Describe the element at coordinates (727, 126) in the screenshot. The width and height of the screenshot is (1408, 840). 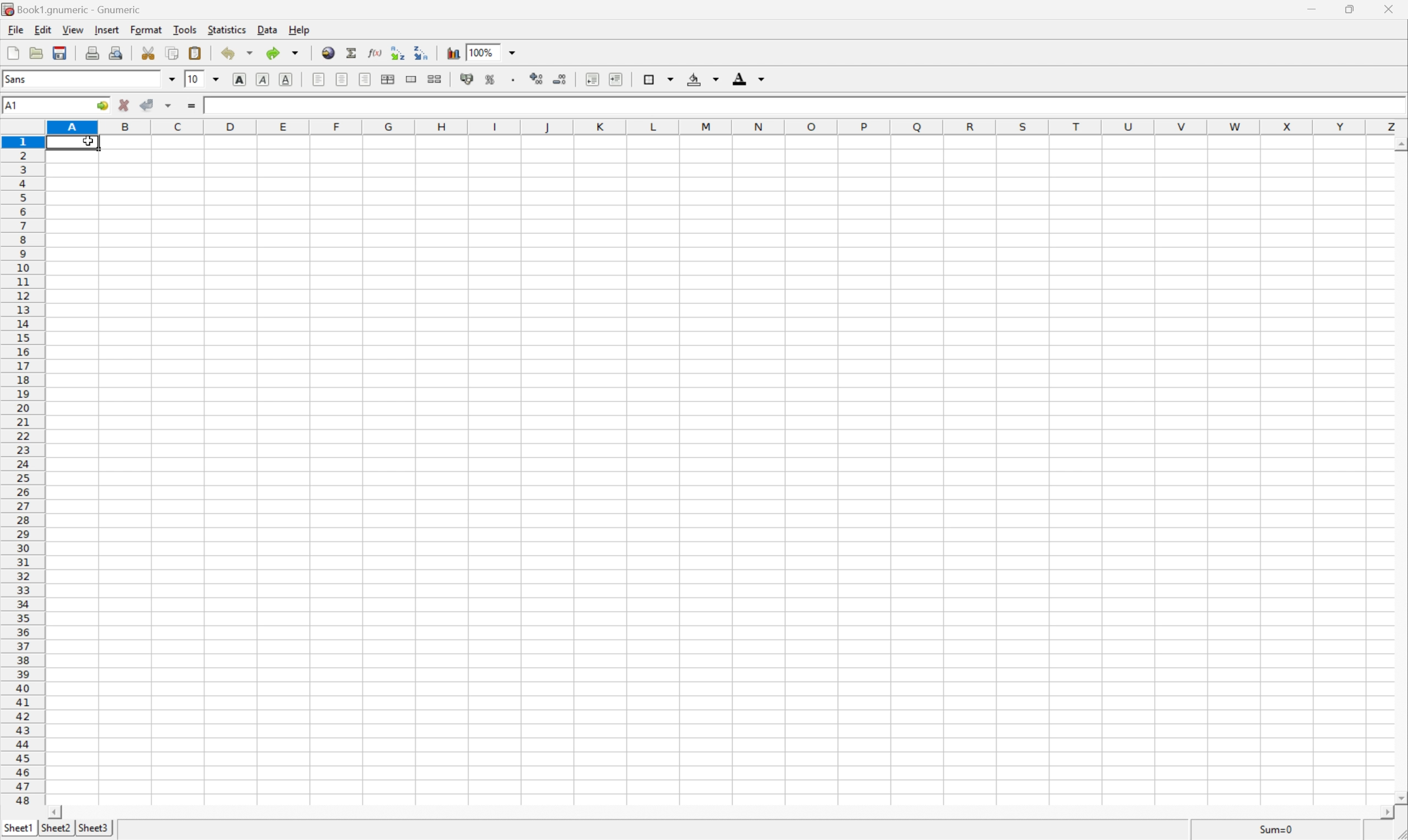
I see `column numbers` at that location.